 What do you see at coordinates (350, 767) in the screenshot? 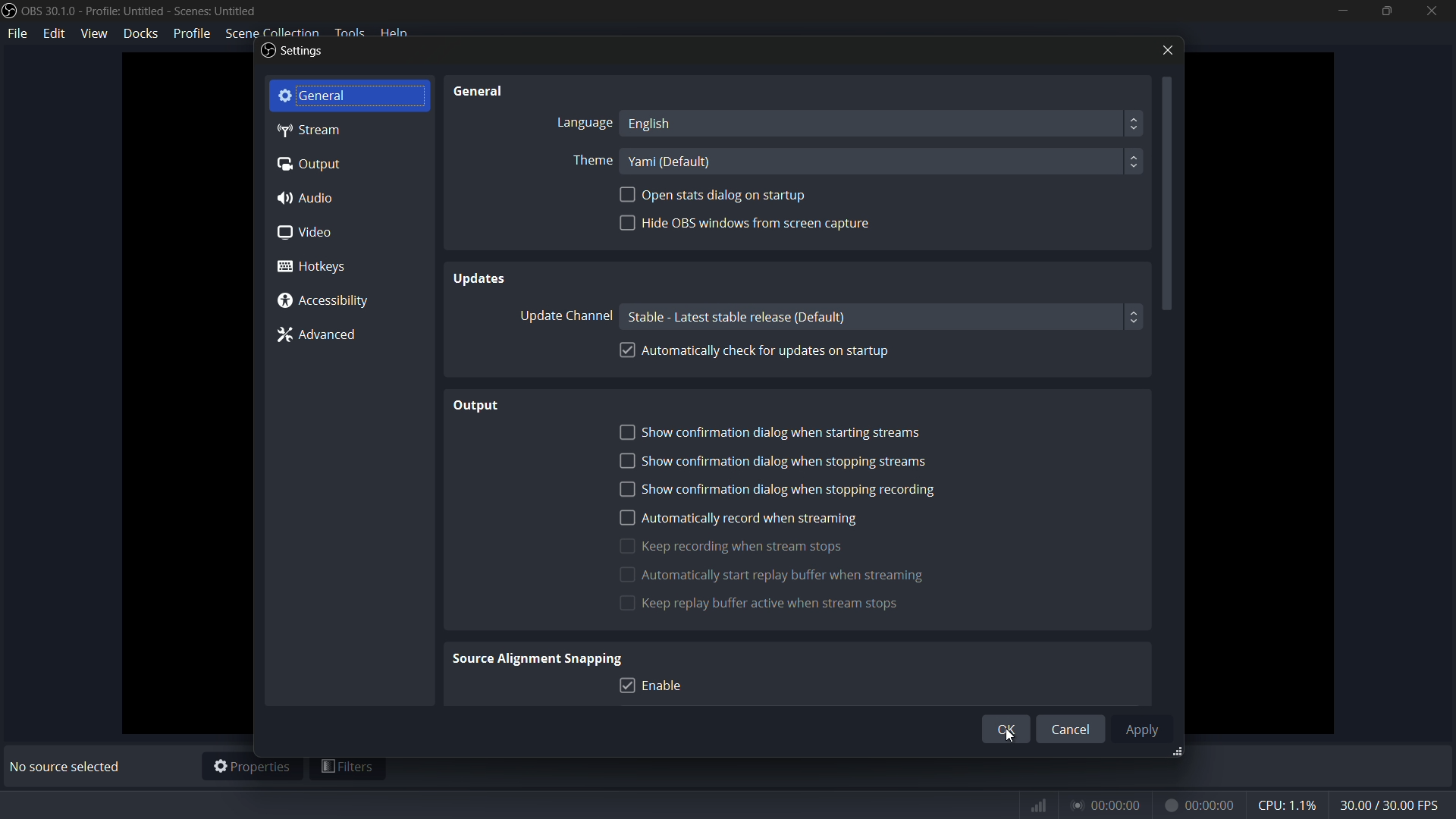
I see `Filters` at bounding box center [350, 767].